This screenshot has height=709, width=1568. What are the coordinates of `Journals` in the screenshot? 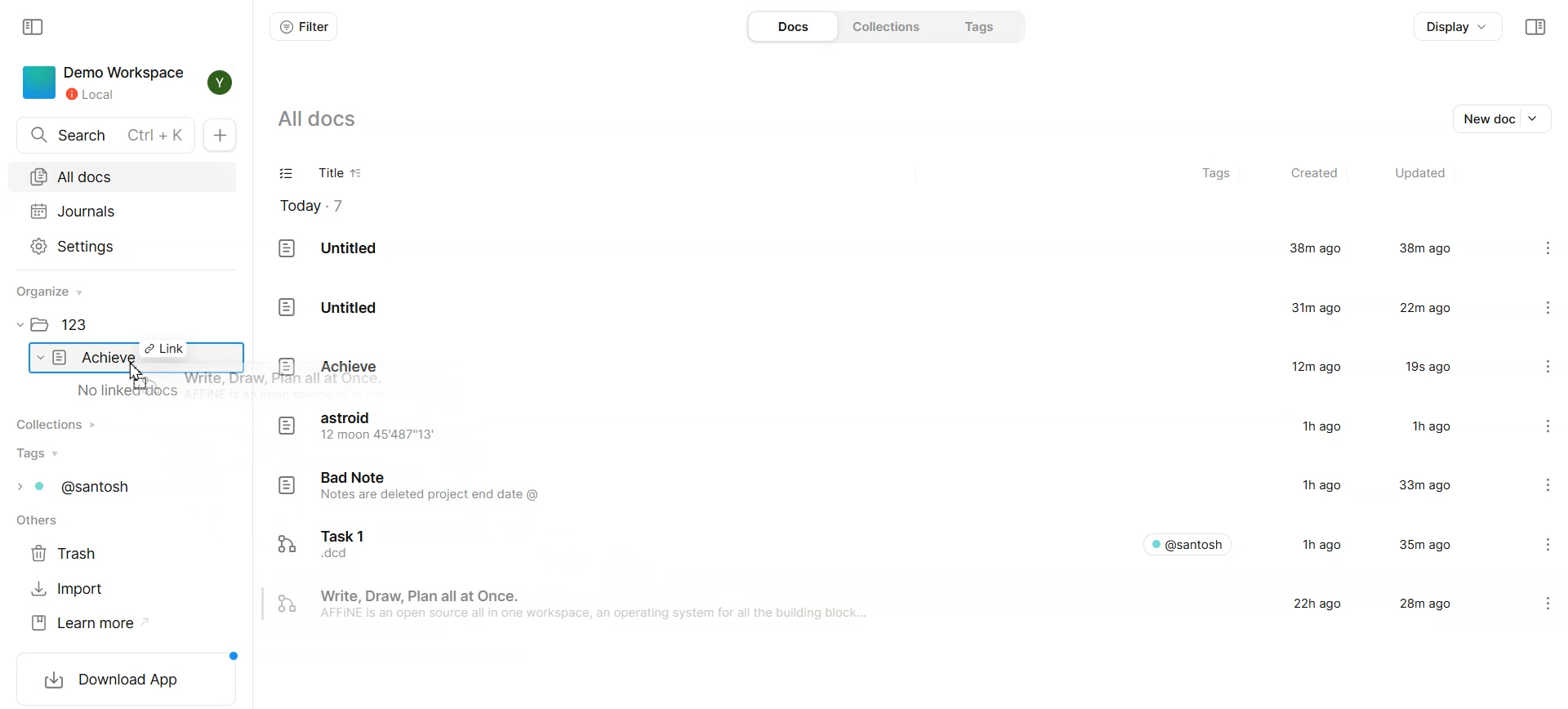 It's located at (122, 211).